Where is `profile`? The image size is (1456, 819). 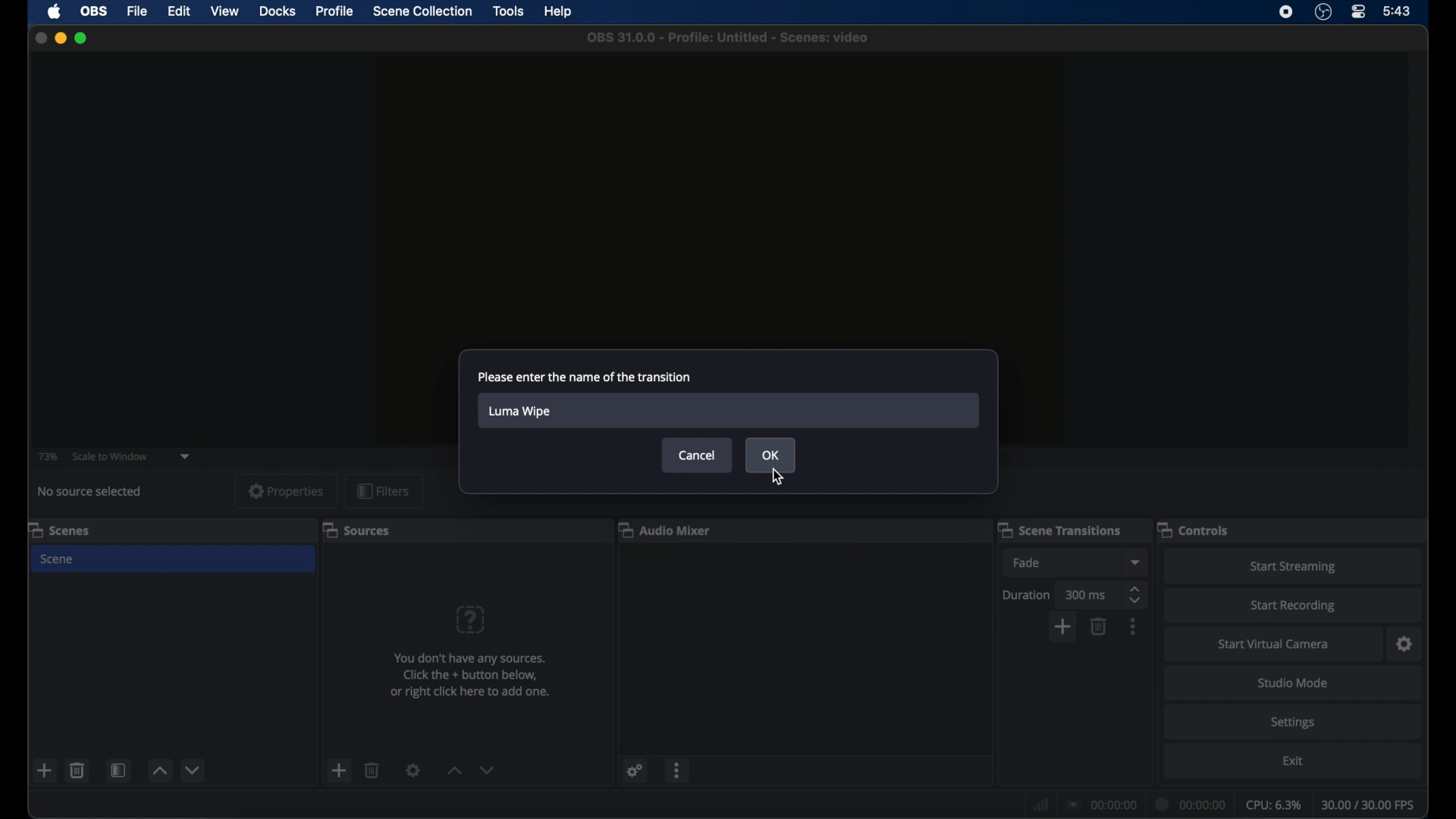 profile is located at coordinates (335, 11).